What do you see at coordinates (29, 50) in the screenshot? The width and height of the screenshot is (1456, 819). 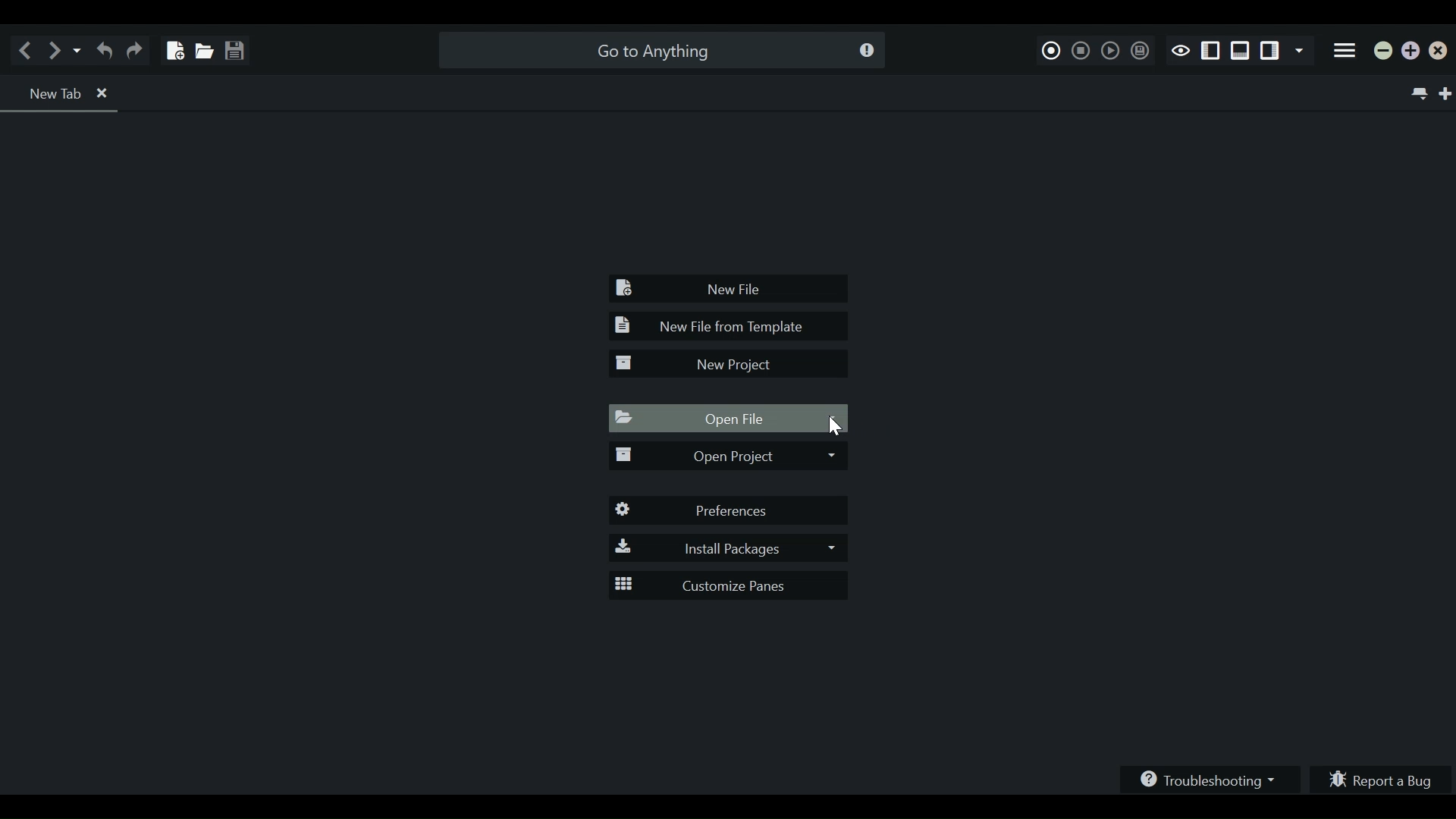 I see `Go back one location ` at bounding box center [29, 50].